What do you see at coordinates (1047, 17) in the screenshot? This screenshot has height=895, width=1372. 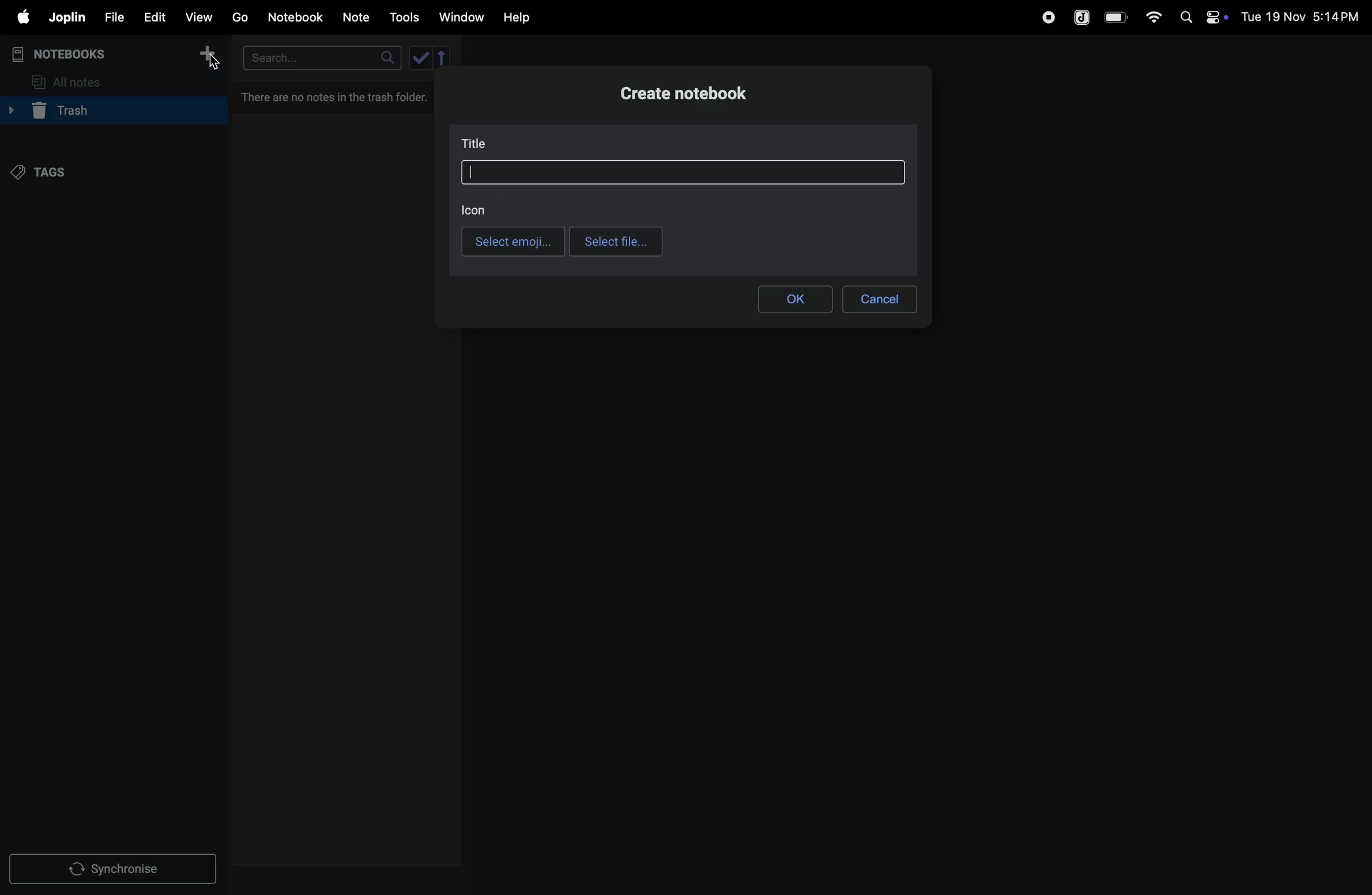 I see `record` at bounding box center [1047, 17].